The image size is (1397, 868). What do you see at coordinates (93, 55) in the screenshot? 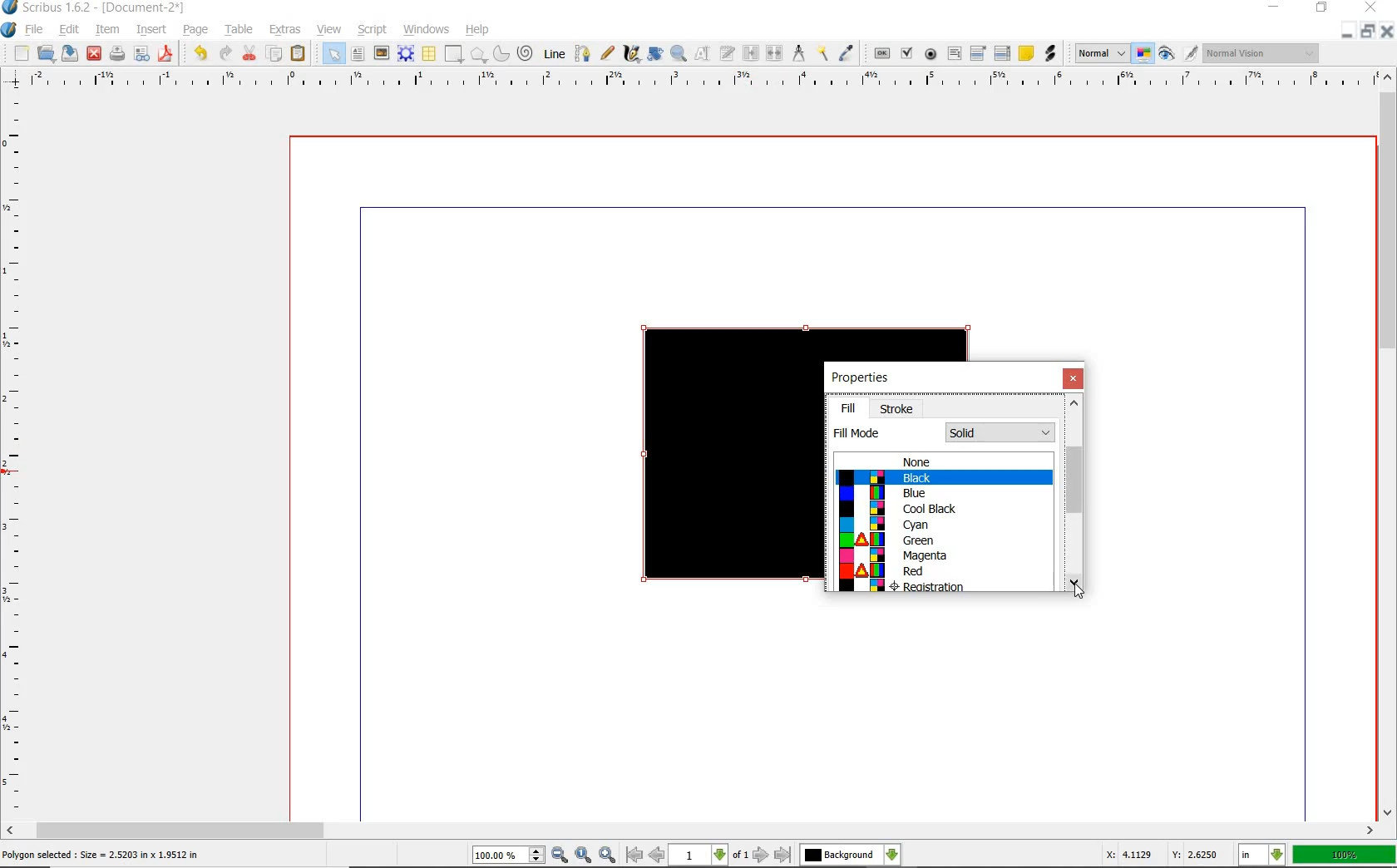
I see `close` at bounding box center [93, 55].